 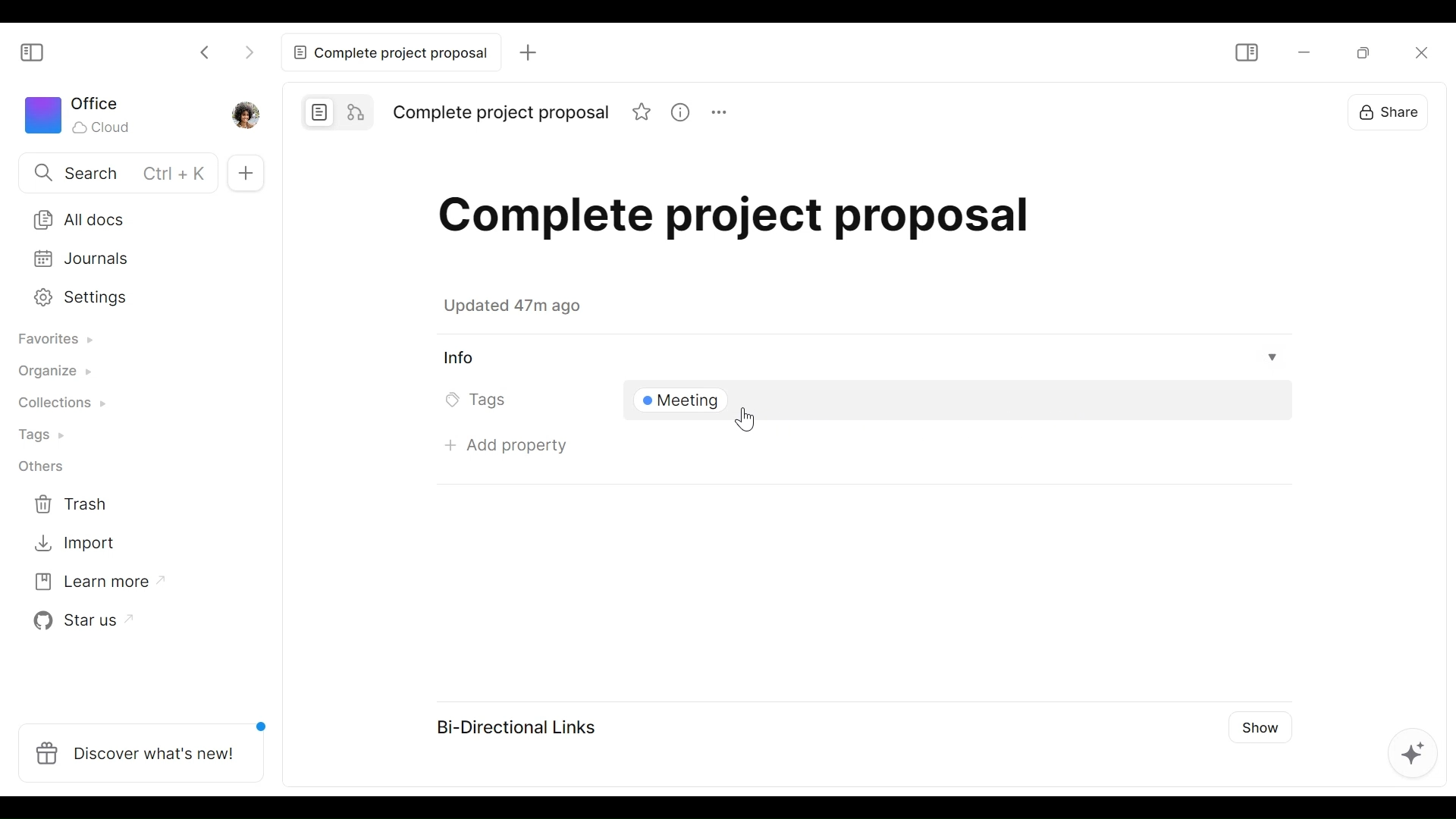 What do you see at coordinates (80, 504) in the screenshot?
I see `Trash` at bounding box center [80, 504].